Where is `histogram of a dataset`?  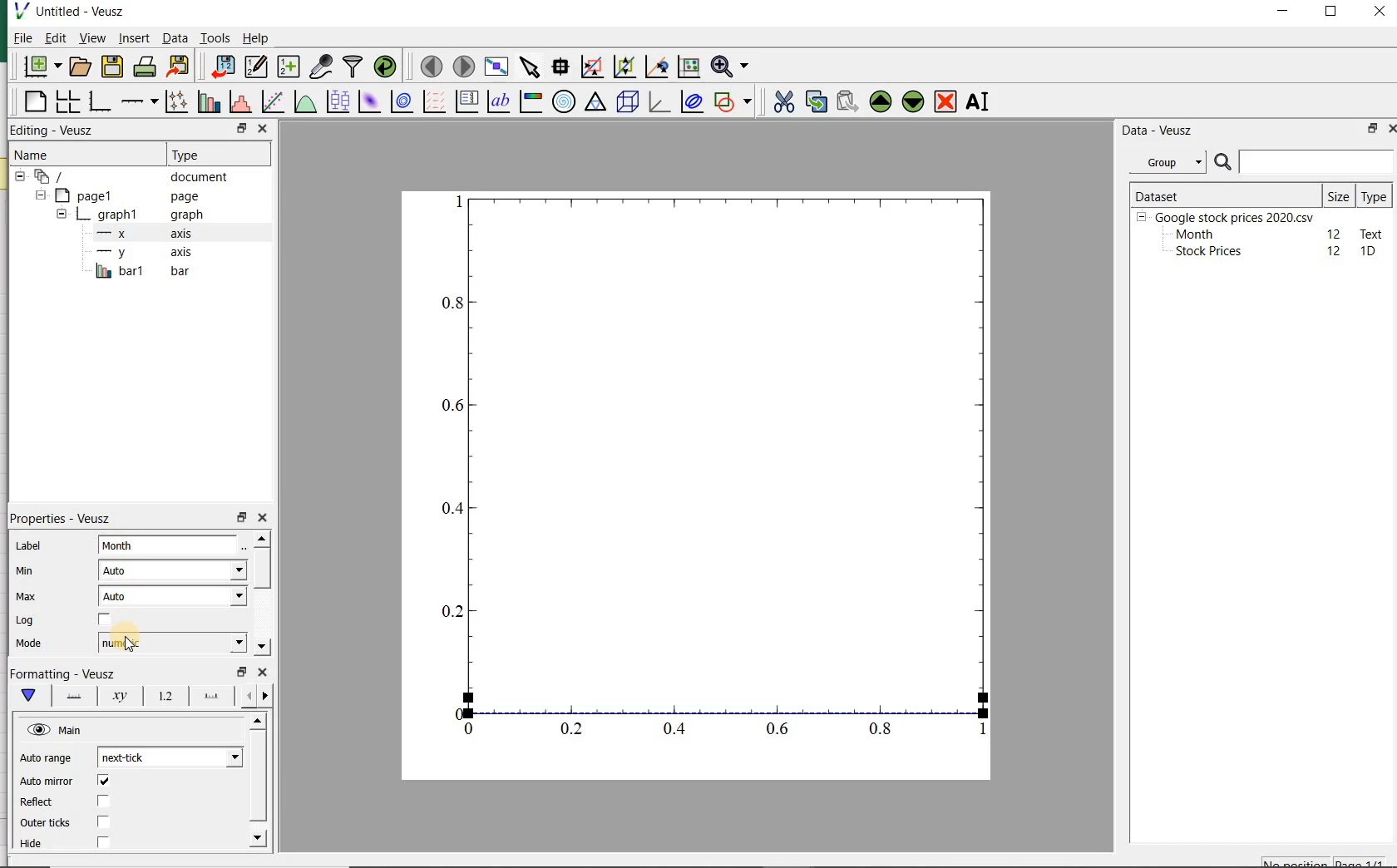
histogram of a dataset is located at coordinates (239, 104).